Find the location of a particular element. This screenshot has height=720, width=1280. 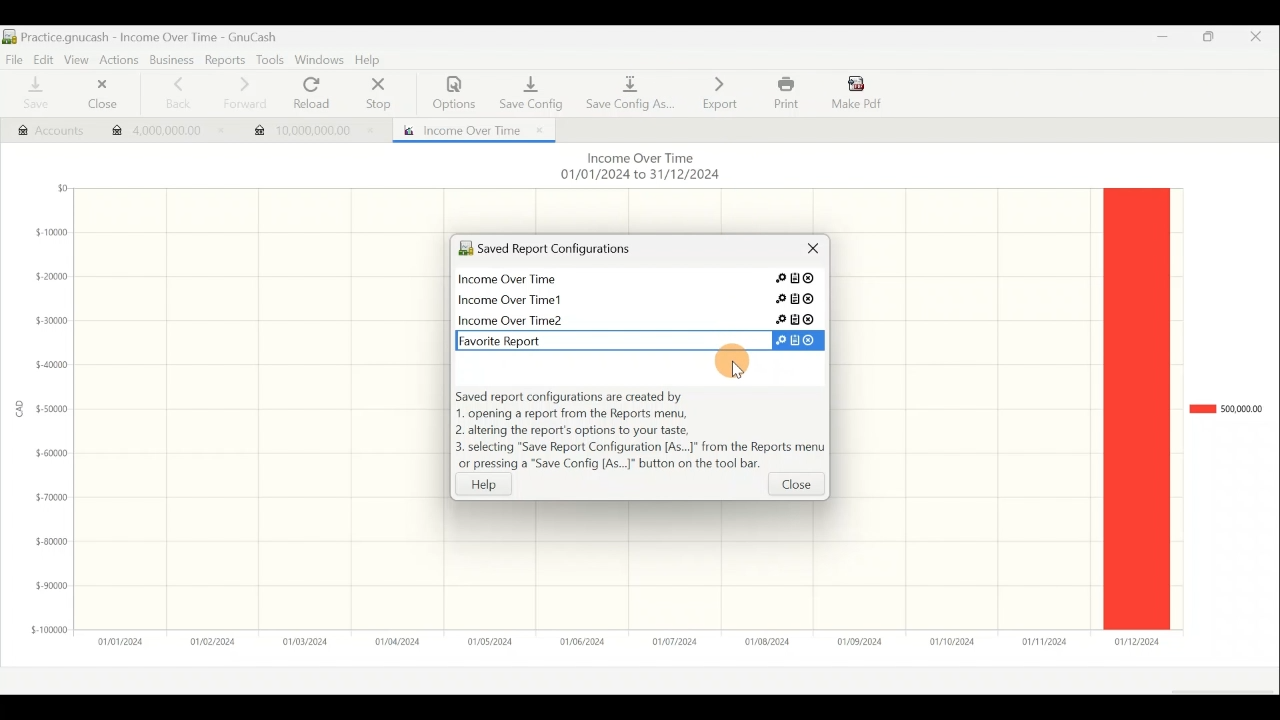

Close is located at coordinates (98, 96).